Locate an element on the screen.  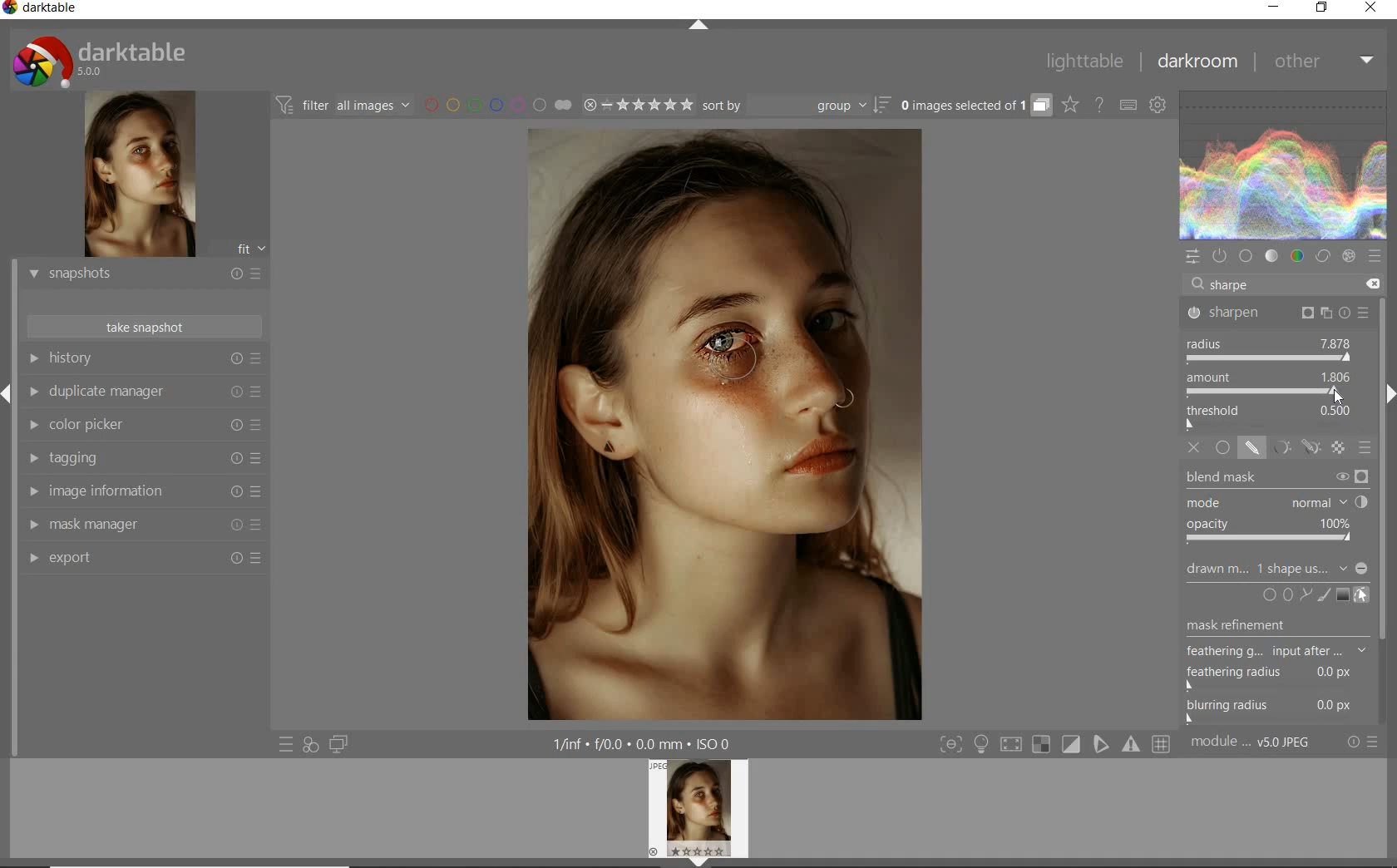
tagging is located at coordinates (141, 459).